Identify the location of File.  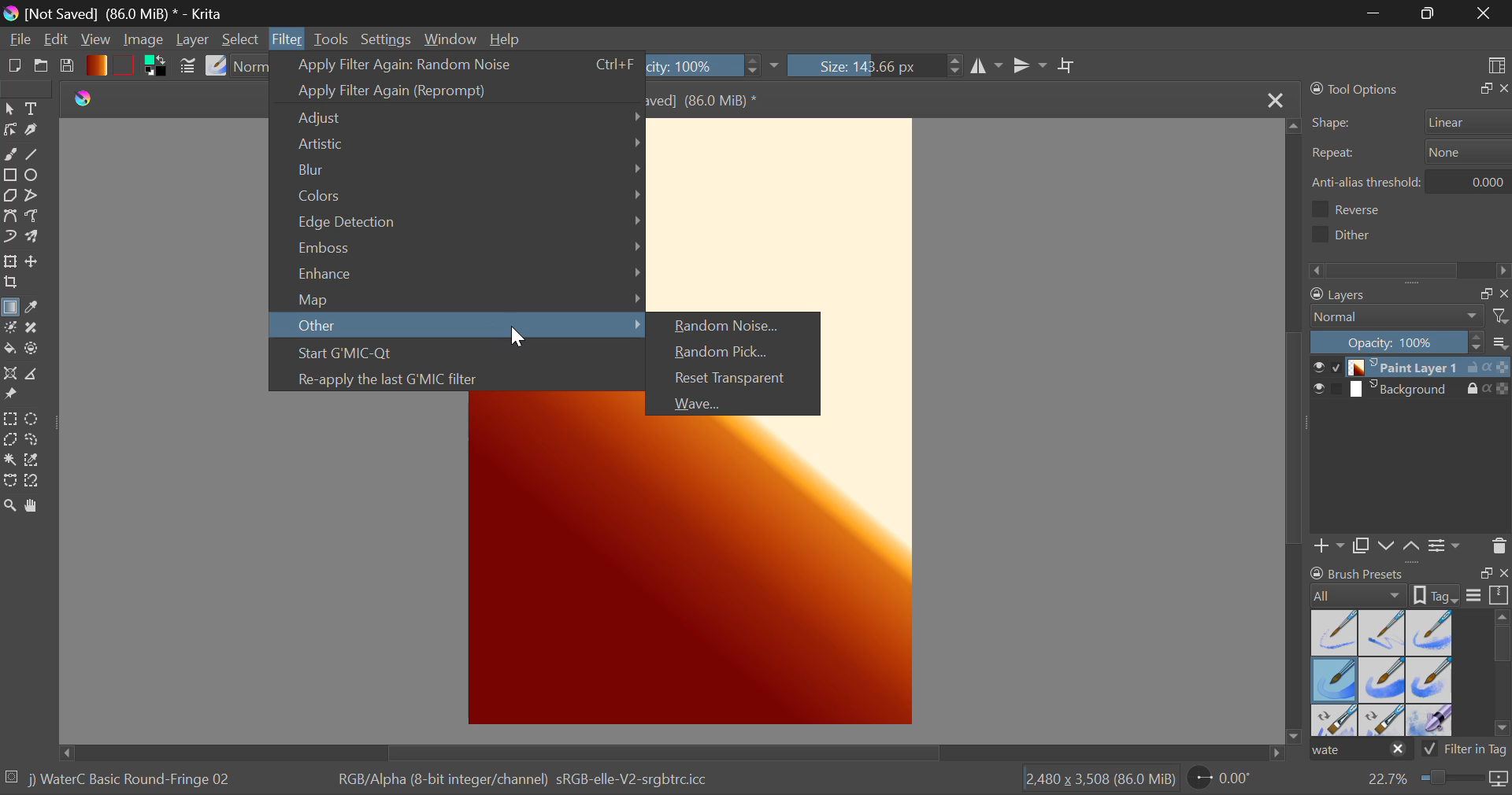
(18, 38).